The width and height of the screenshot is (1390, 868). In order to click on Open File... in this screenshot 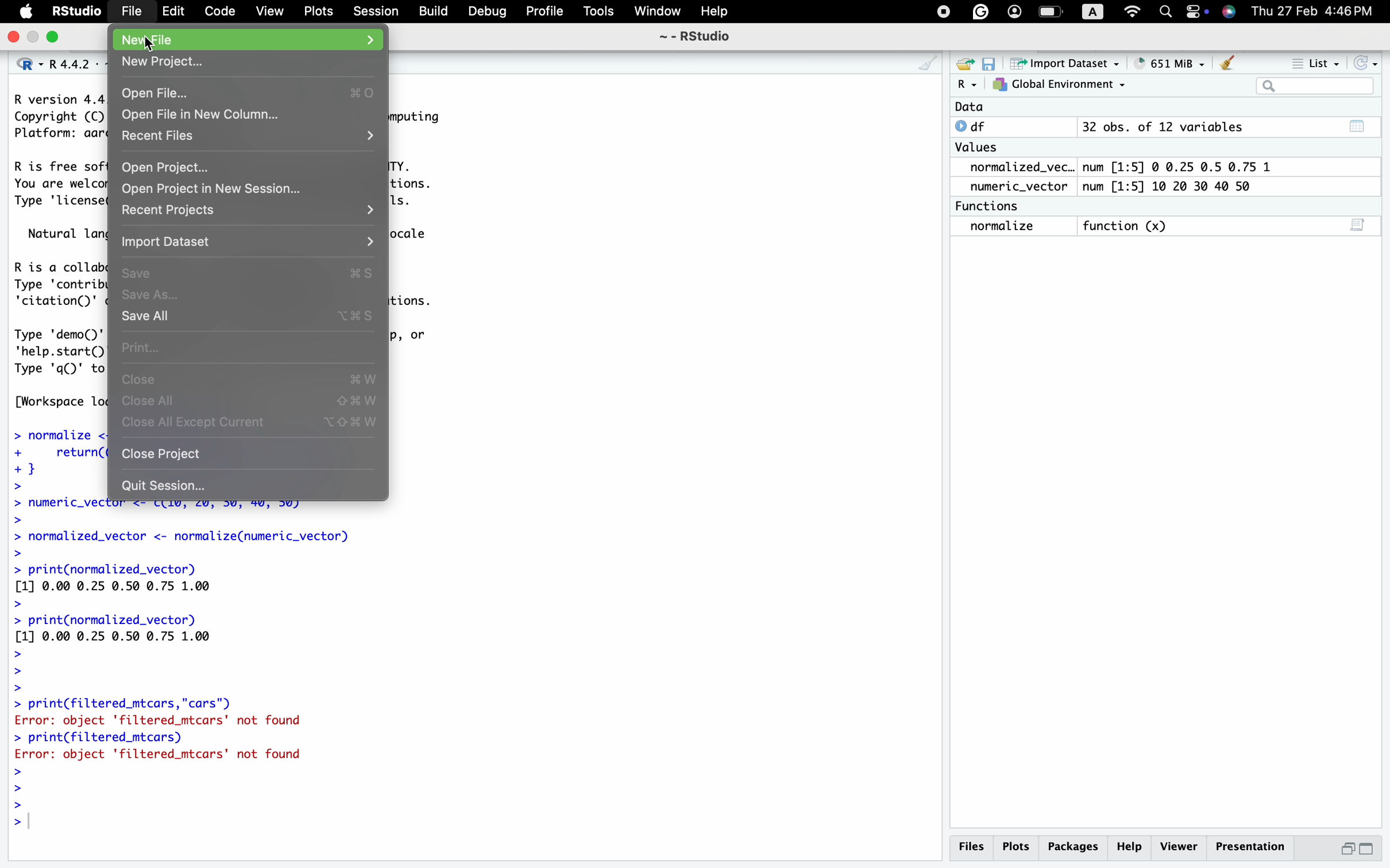, I will do `click(245, 90)`.